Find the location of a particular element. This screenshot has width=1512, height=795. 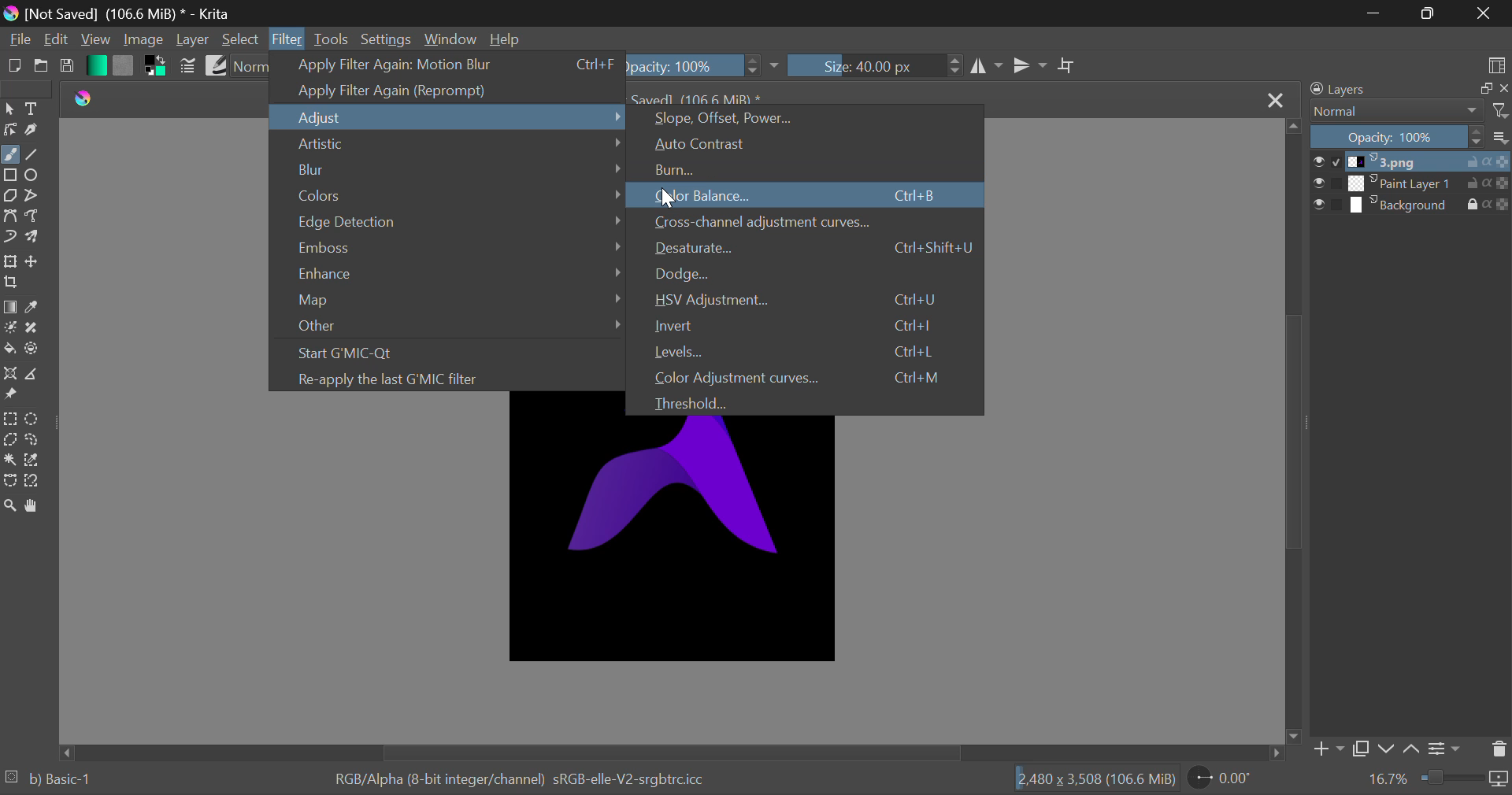

Freehand Selection is located at coordinates (32, 439).